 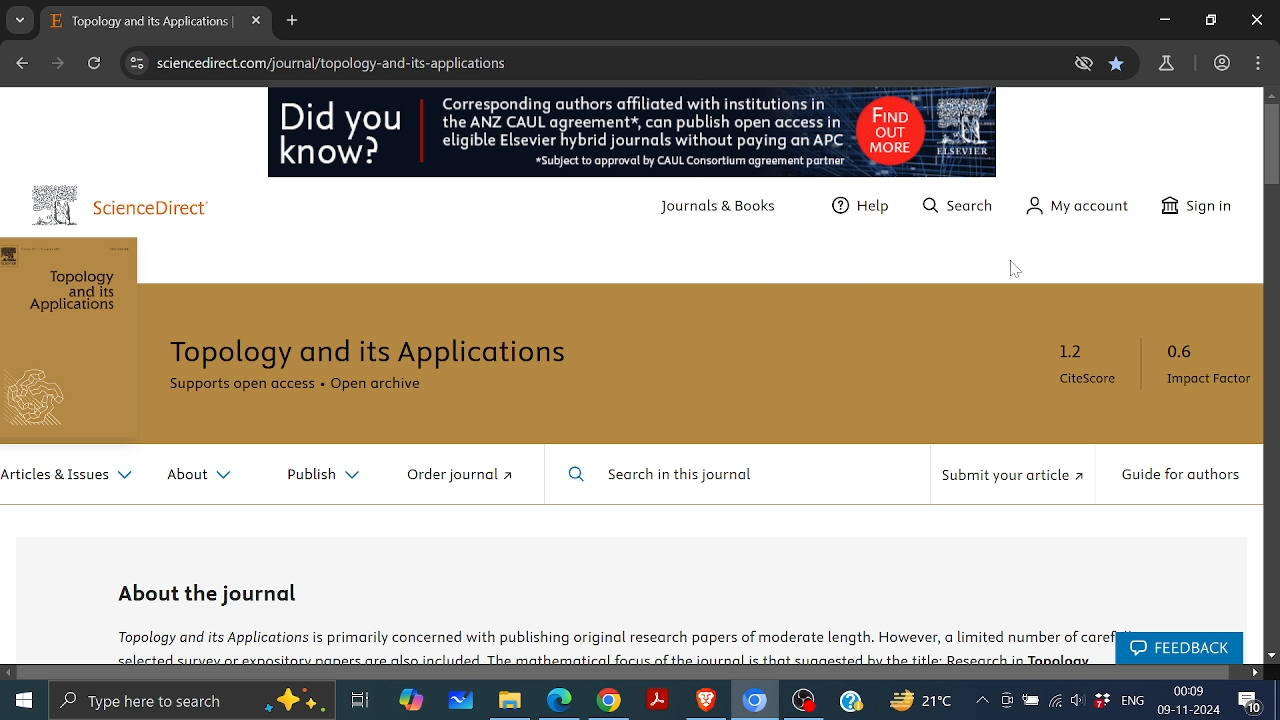 I want to click on Chromium, so click(x=755, y=701).